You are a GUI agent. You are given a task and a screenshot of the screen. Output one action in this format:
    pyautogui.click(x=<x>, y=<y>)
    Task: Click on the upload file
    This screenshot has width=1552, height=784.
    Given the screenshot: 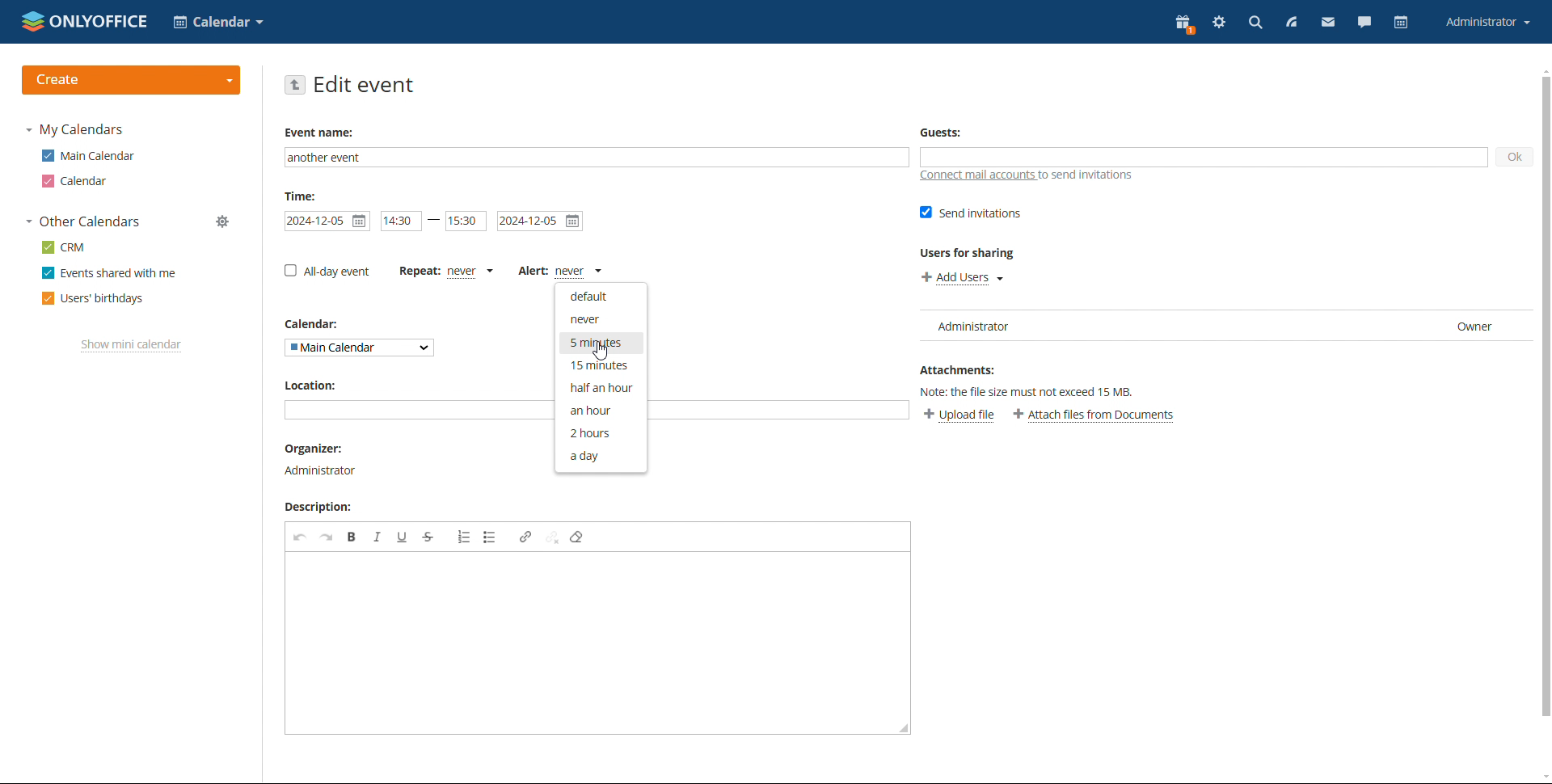 What is the action you would take?
    pyautogui.click(x=959, y=416)
    